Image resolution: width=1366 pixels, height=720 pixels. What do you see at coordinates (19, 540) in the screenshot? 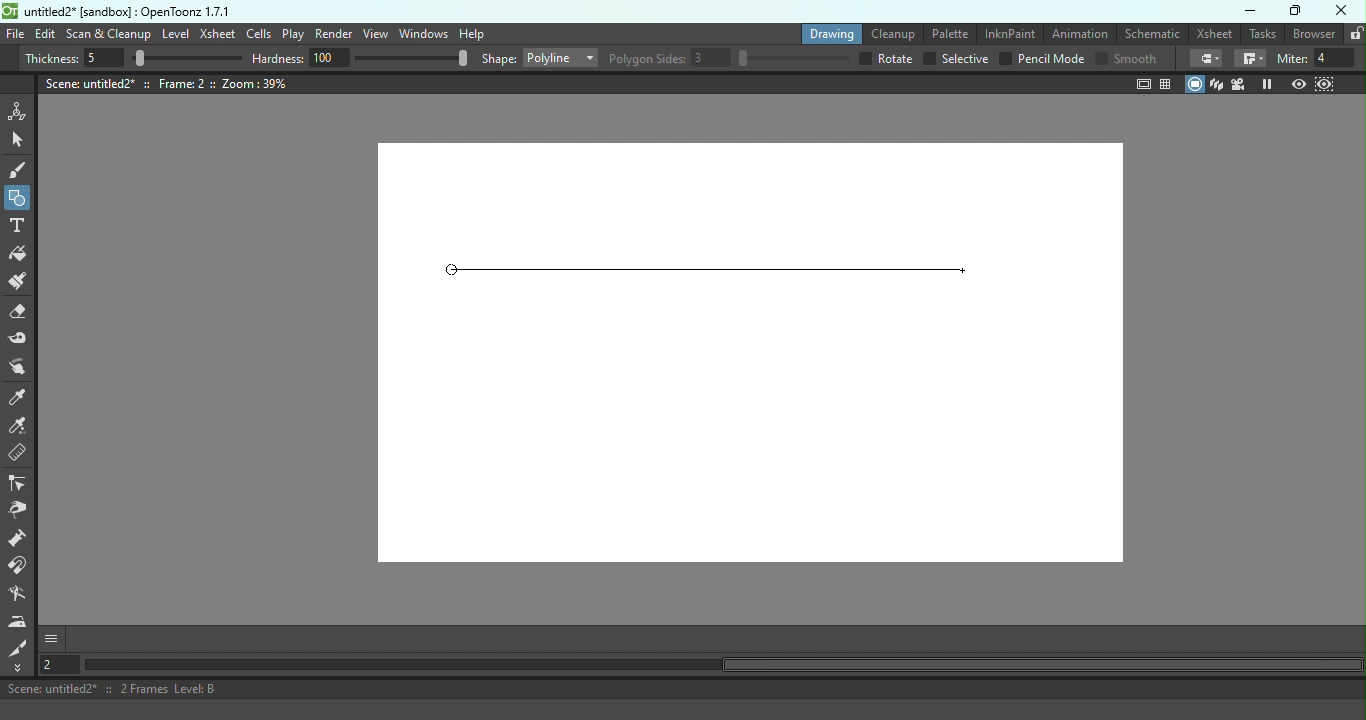
I see `Pump tool` at bounding box center [19, 540].